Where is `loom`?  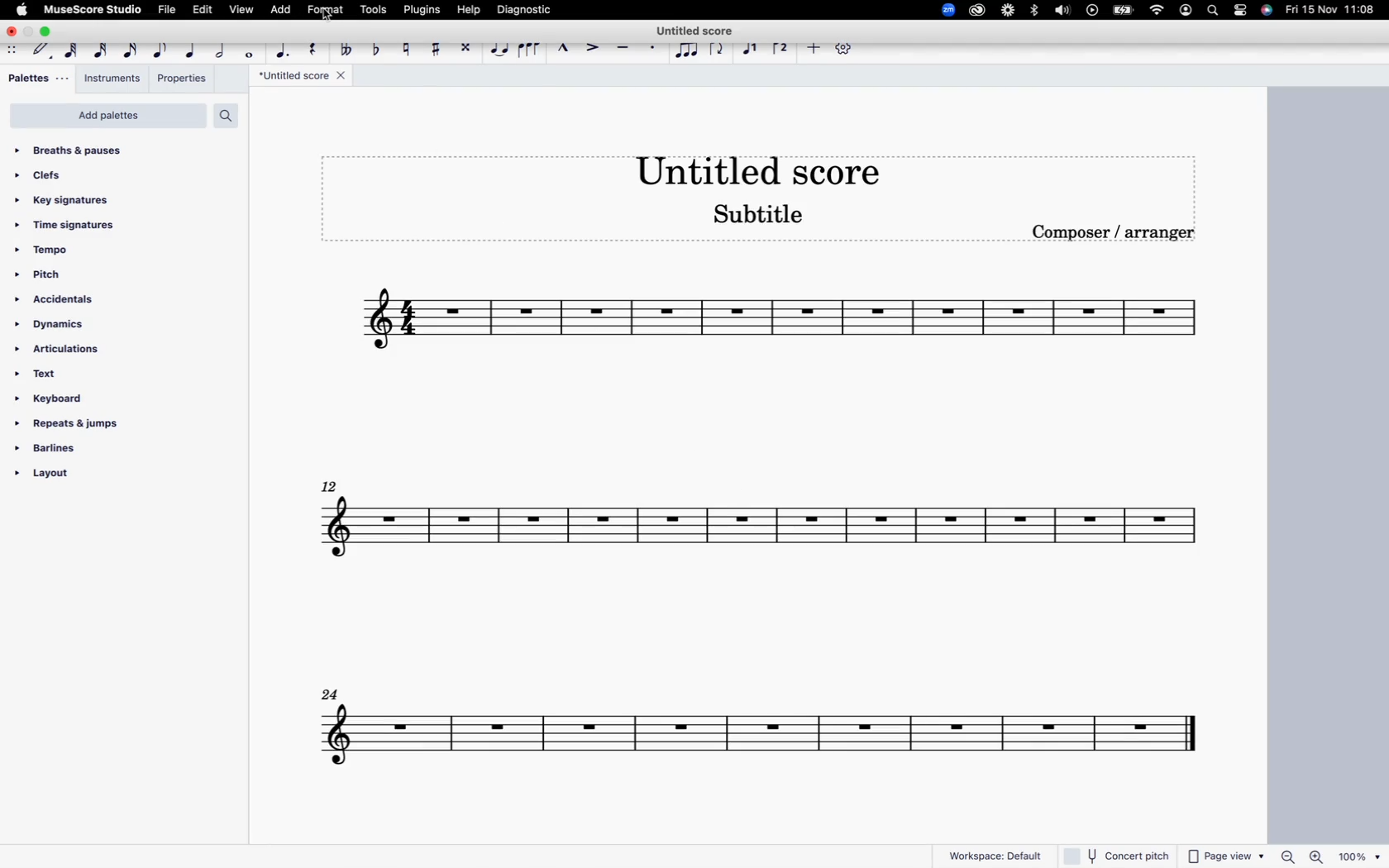 loom is located at coordinates (1007, 12).